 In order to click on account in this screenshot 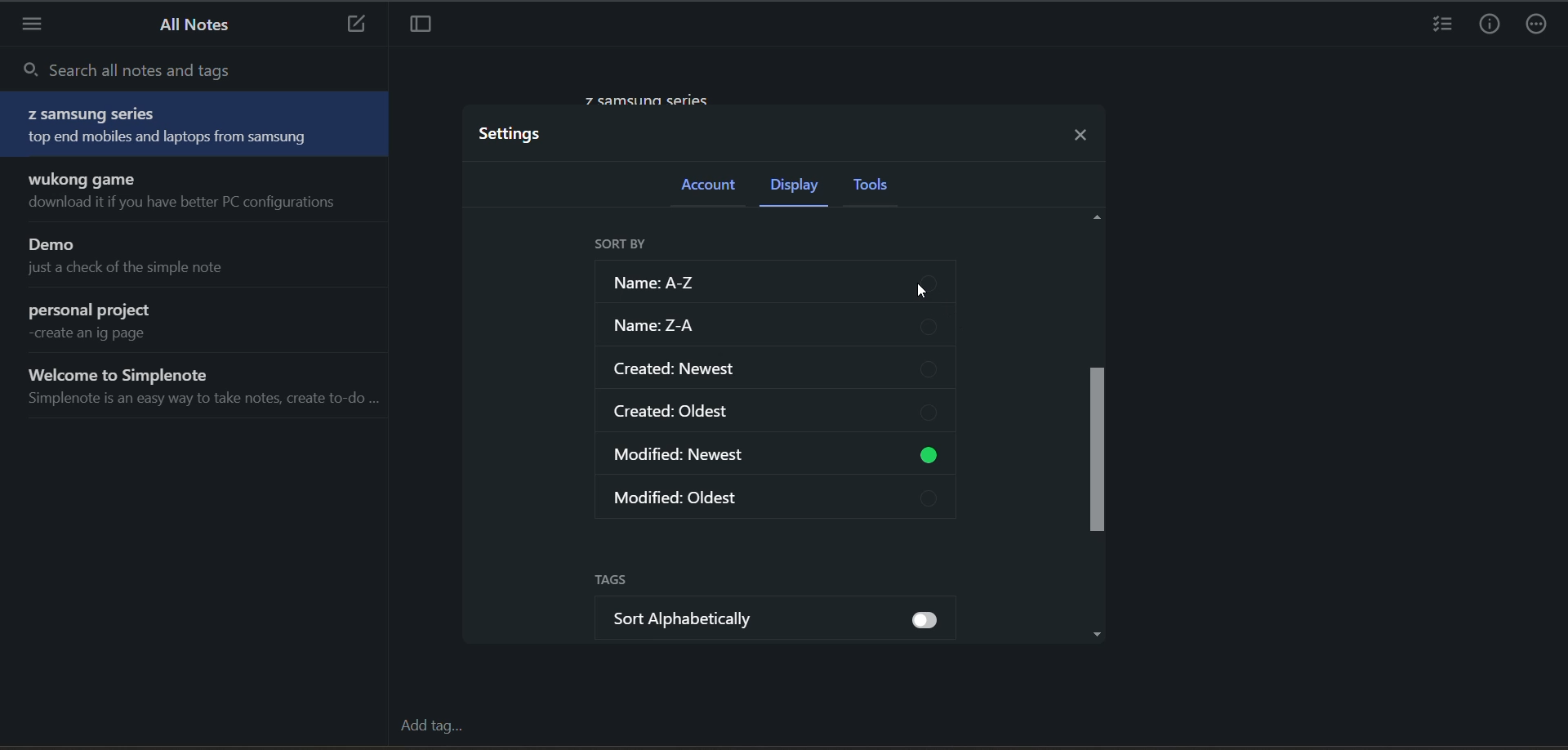, I will do `click(713, 189)`.